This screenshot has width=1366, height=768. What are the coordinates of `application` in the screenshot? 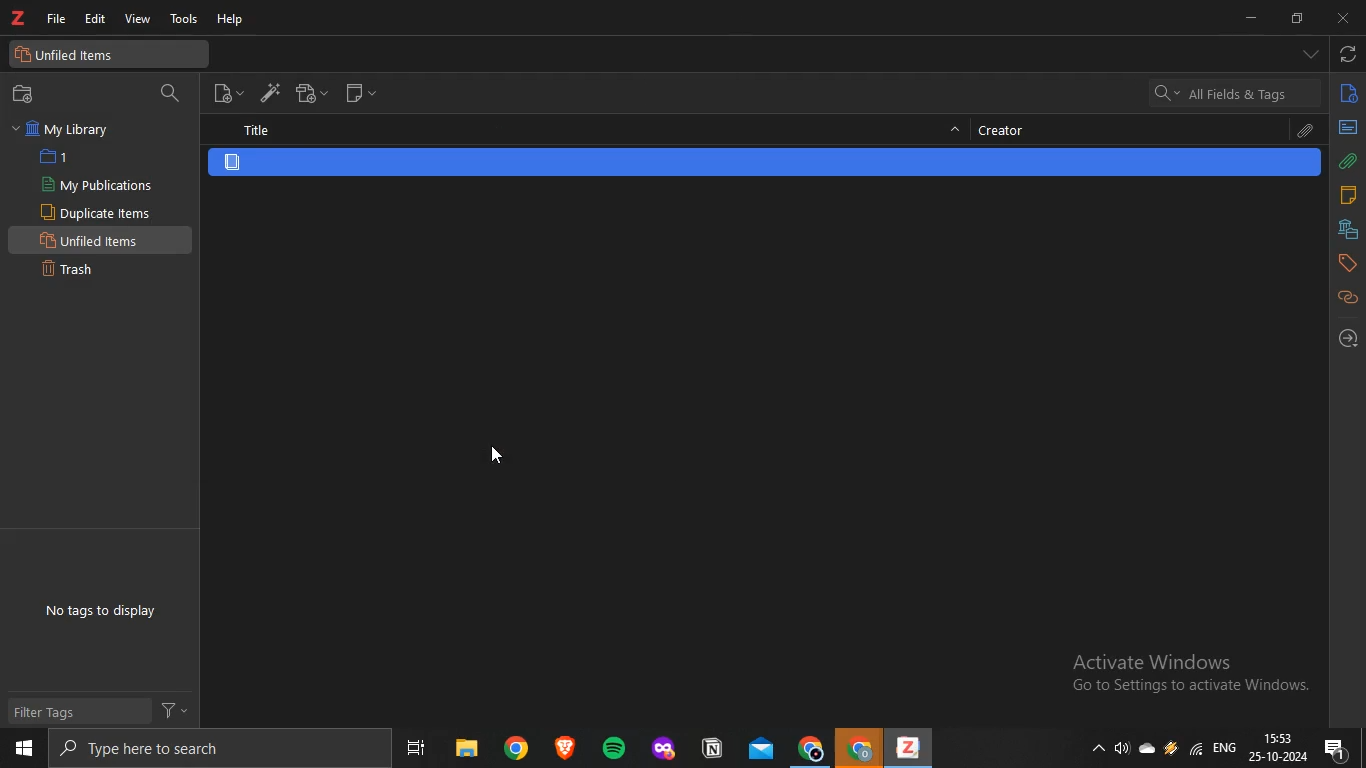 It's located at (715, 749).